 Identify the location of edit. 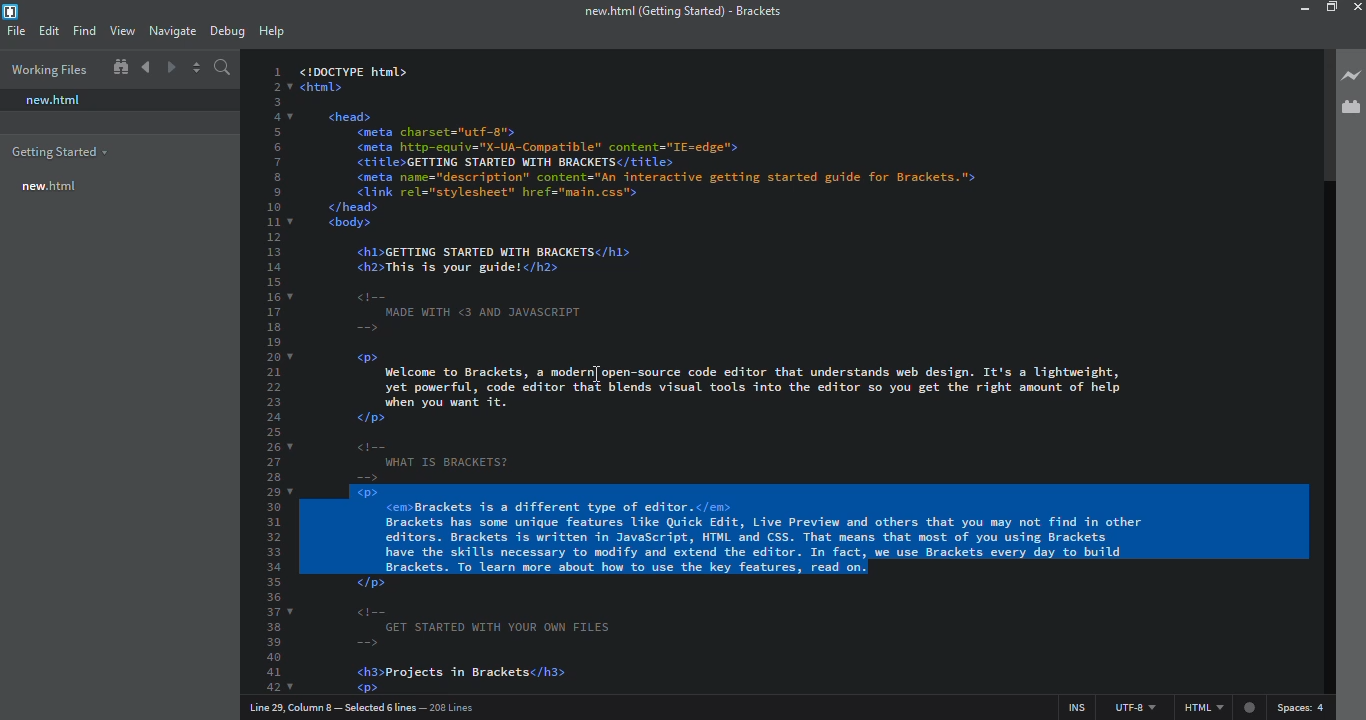
(48, 28).